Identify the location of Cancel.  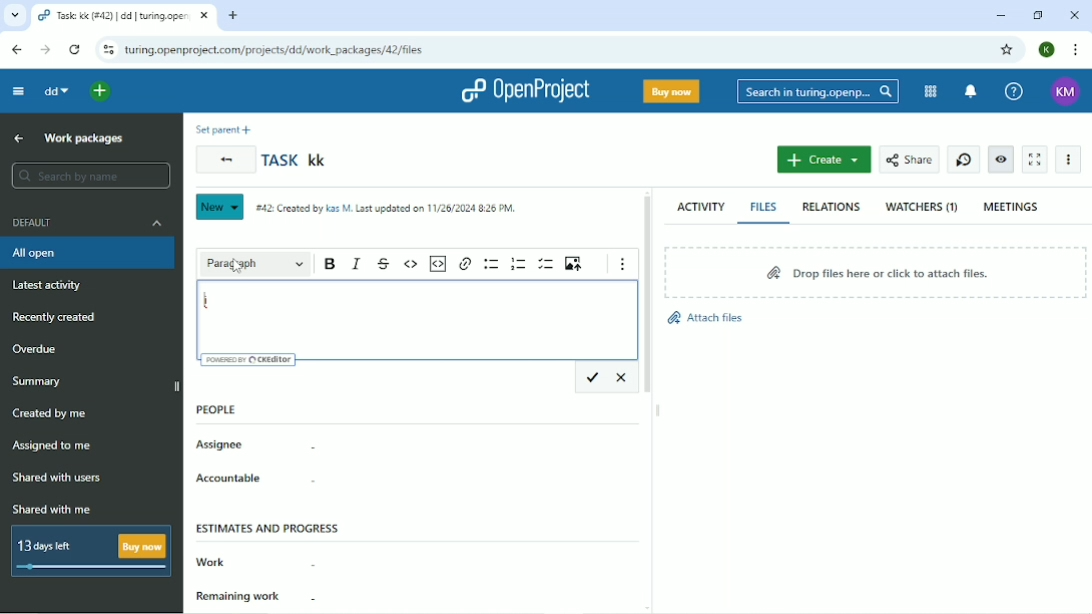
(623, 378).